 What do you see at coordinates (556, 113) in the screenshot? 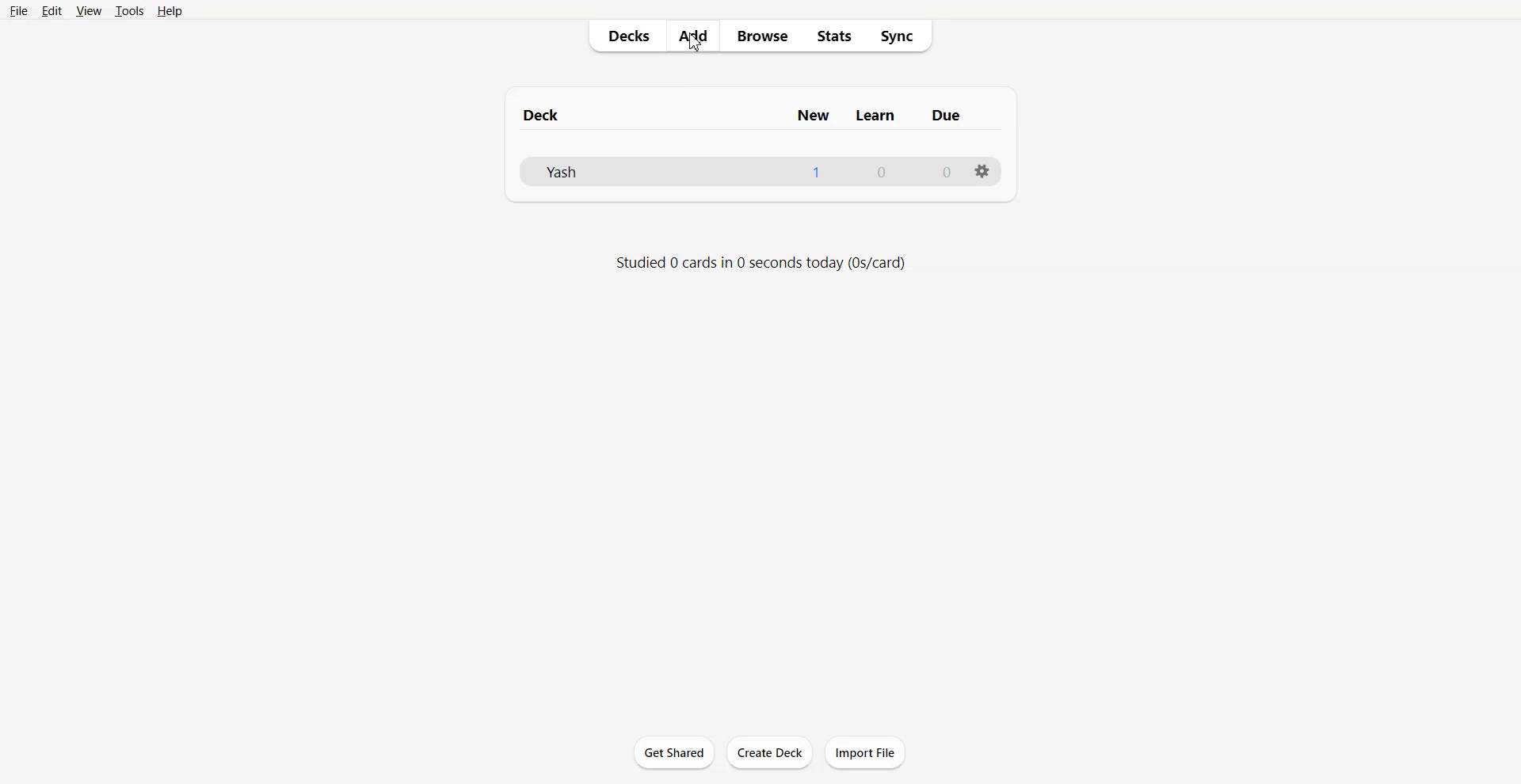
I see `deck` at bounding box center [556, 113].